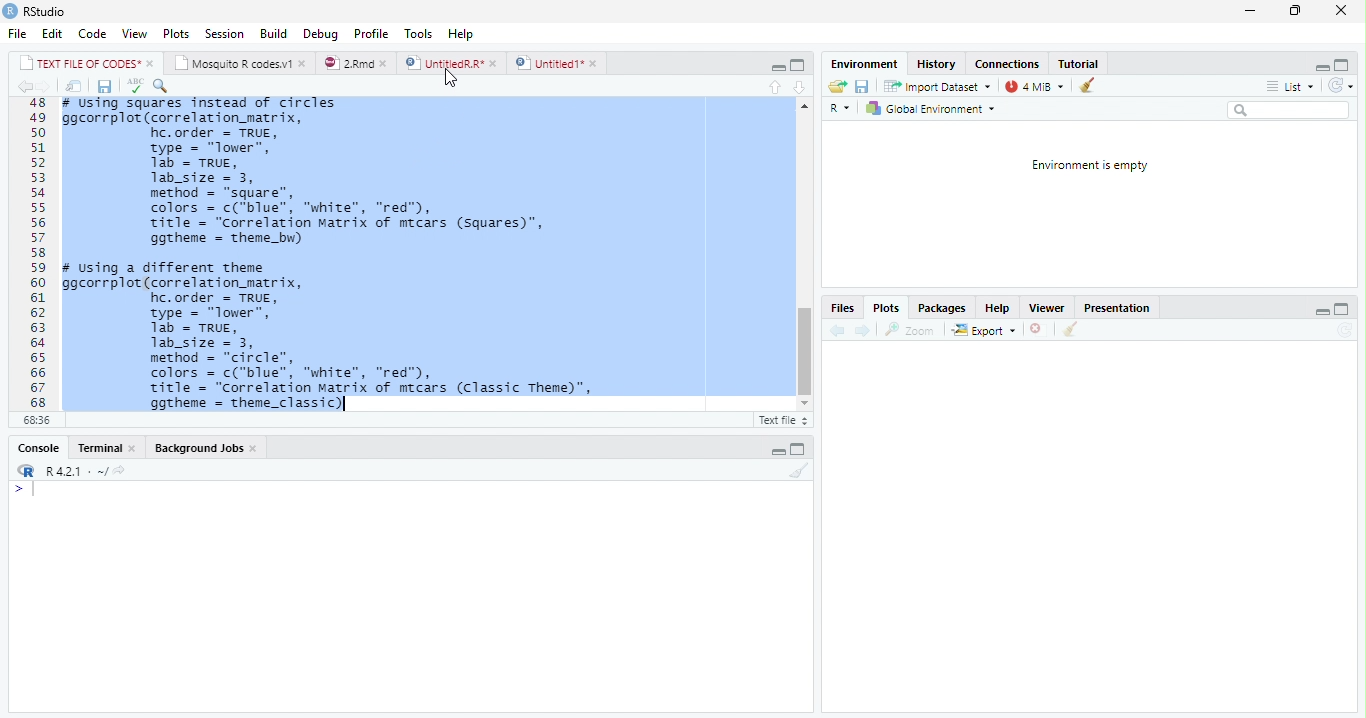 This screenshot has width=1366, height=718. I want to click on  UntitiedR, so click(452, 63).